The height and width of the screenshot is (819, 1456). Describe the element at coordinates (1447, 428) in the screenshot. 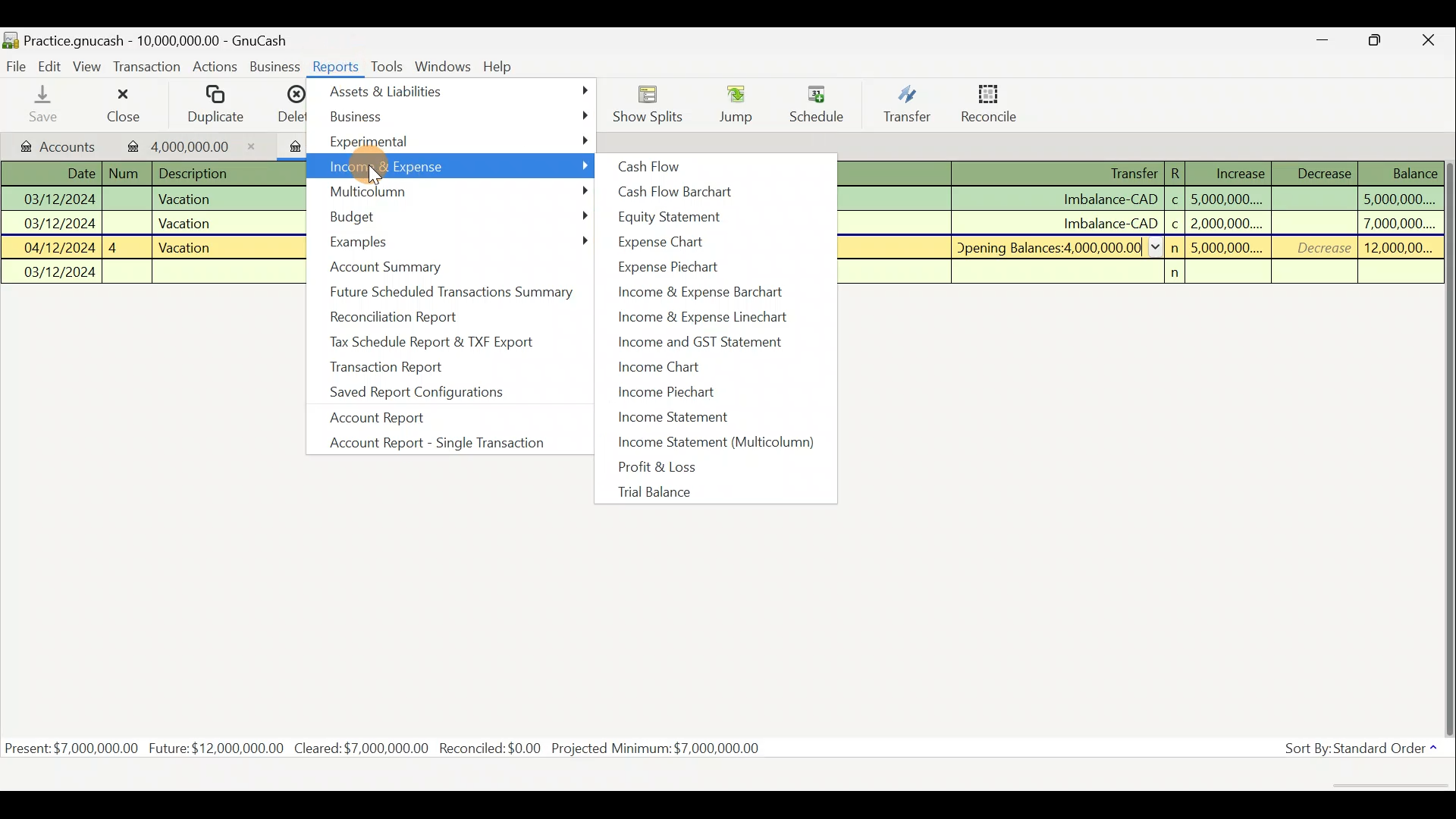

I see `Scroll bar` at that location.